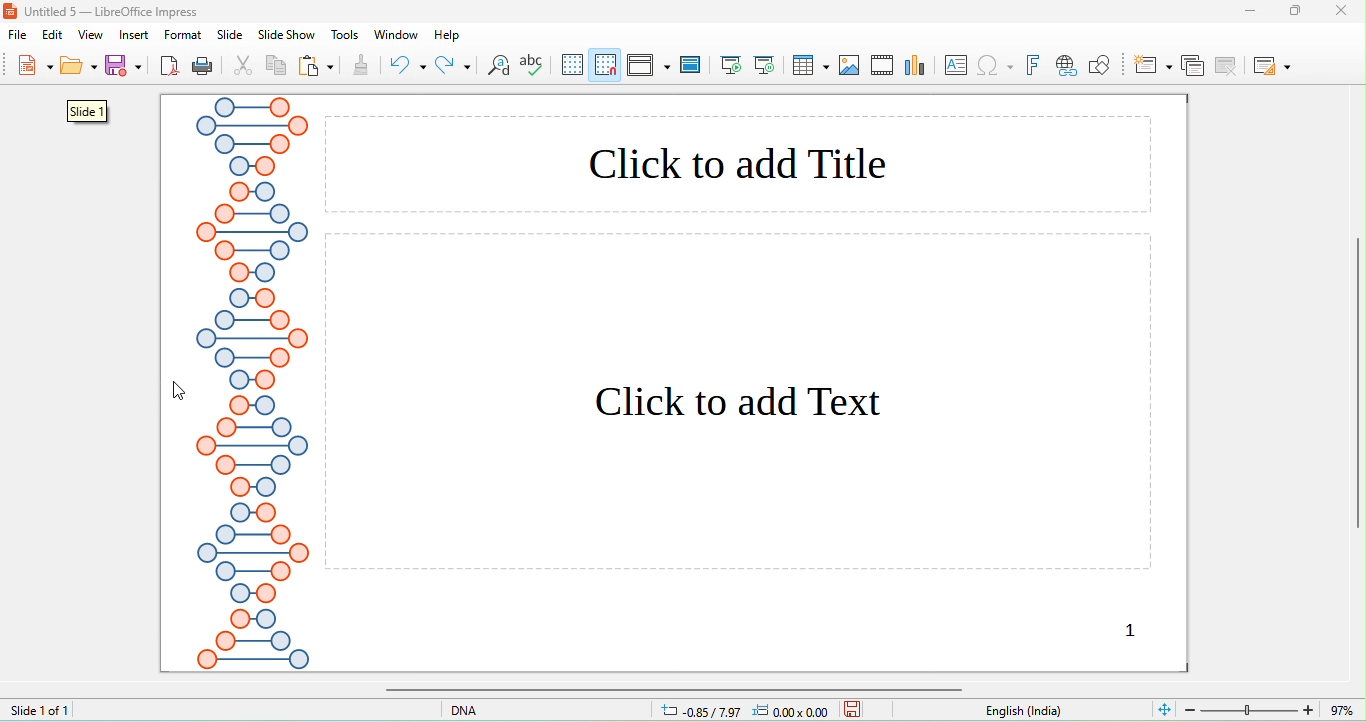 The image size is (1366, 722). Describe the element at coordinates (692, 63) in the screenshot. I see `master slide` at that location.